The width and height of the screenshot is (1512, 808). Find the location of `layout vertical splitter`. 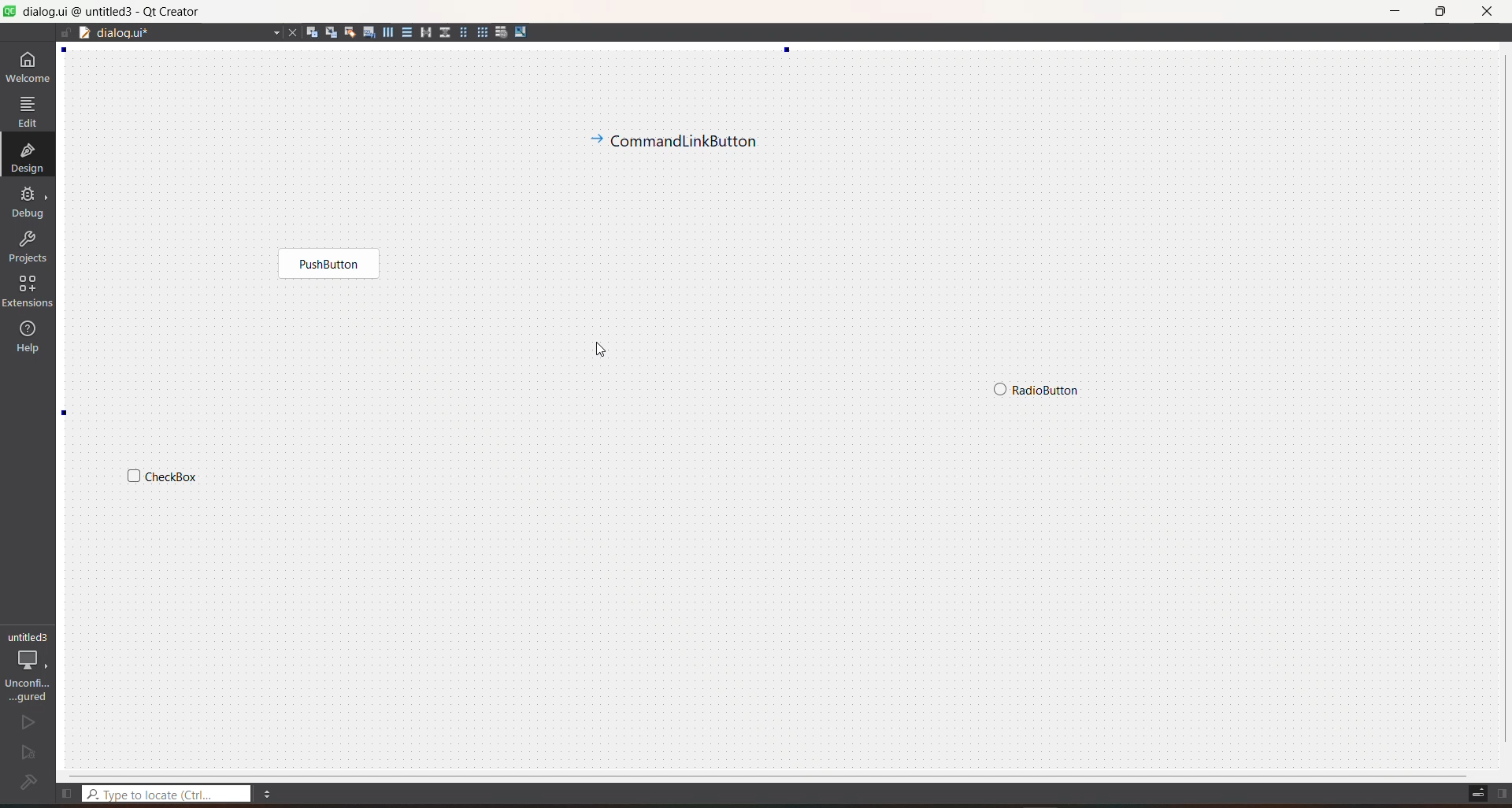

layout vertical splitter is located at coordinates (443, 33).